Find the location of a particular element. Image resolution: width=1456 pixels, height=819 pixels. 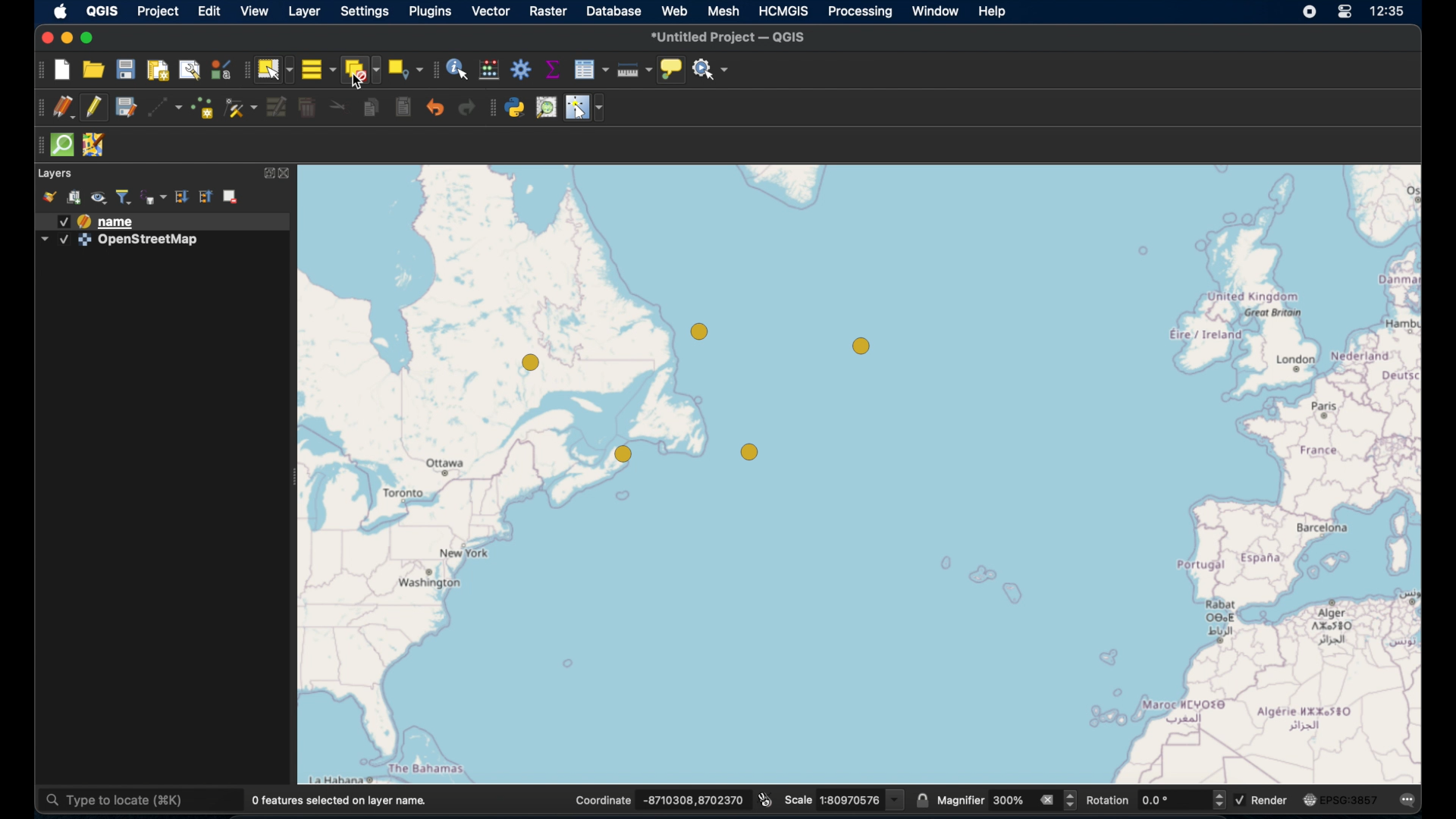

open field calculator is located at coordinates (488, 71).